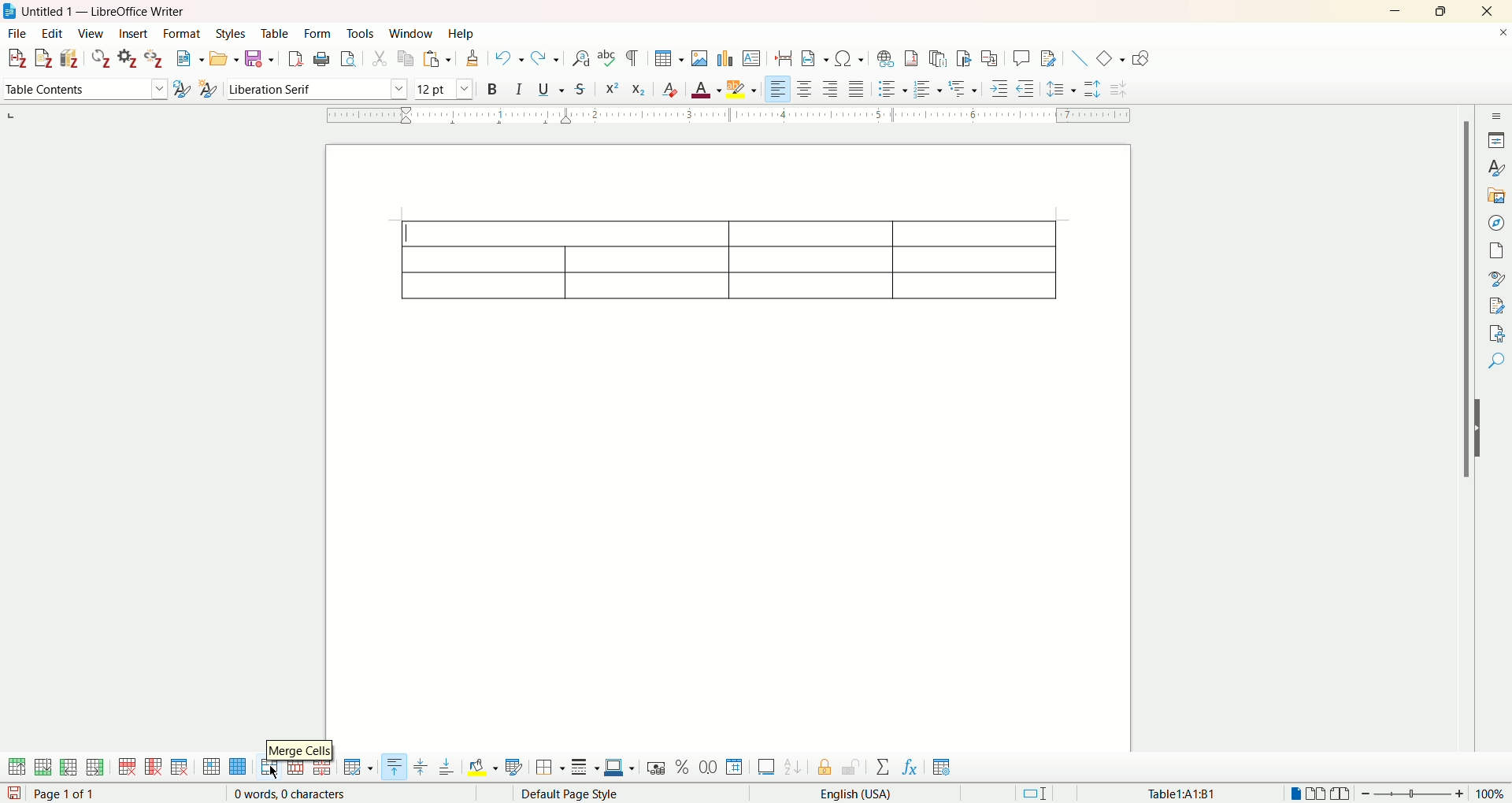  What do you see at coordinates (54, 32) in the screenshot?
I see `edit` at bounding box center [54, 32].